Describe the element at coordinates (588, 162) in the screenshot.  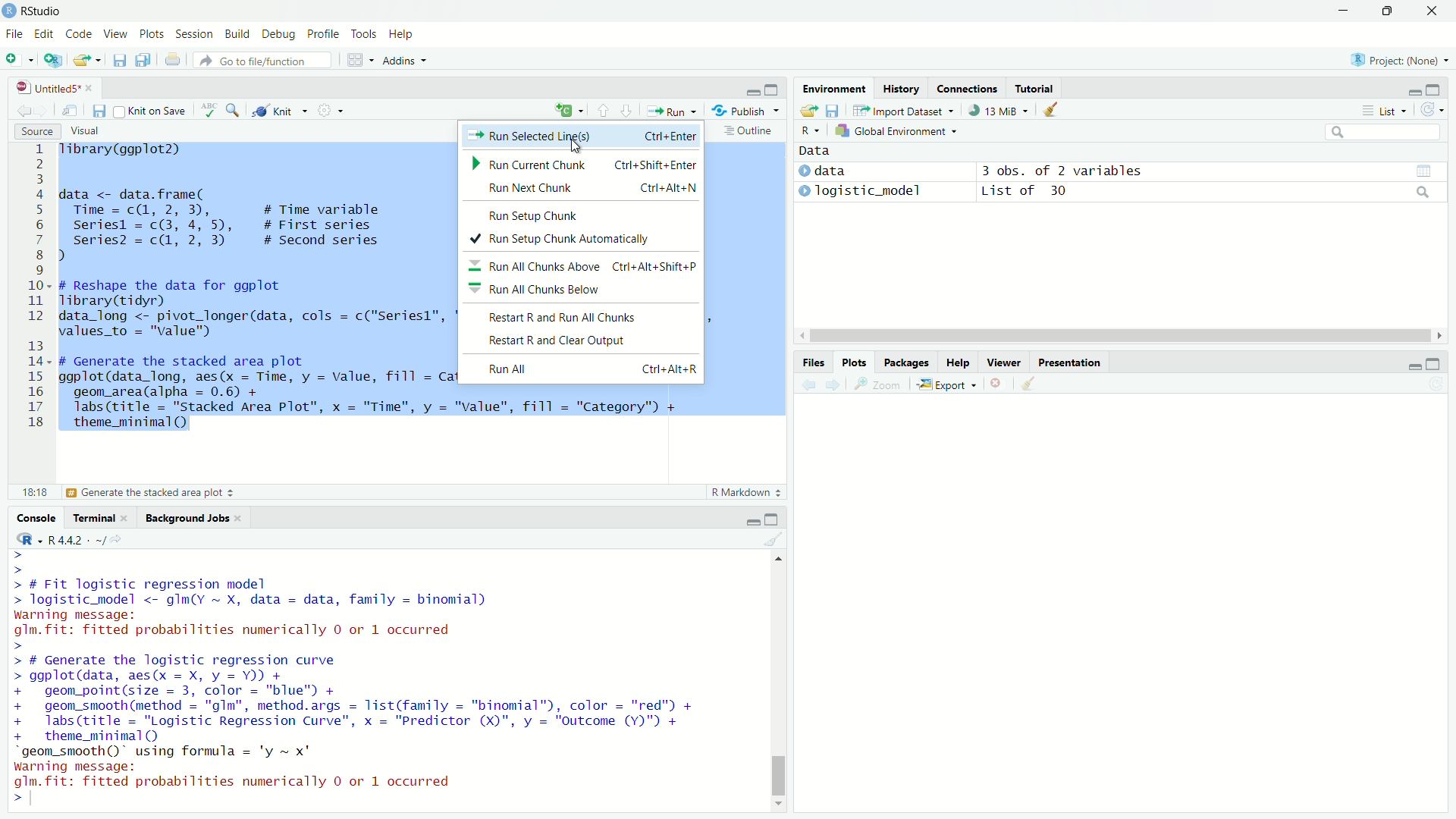
I see `Run Current Chunk Ctrl+Shift+Enter` at that location.